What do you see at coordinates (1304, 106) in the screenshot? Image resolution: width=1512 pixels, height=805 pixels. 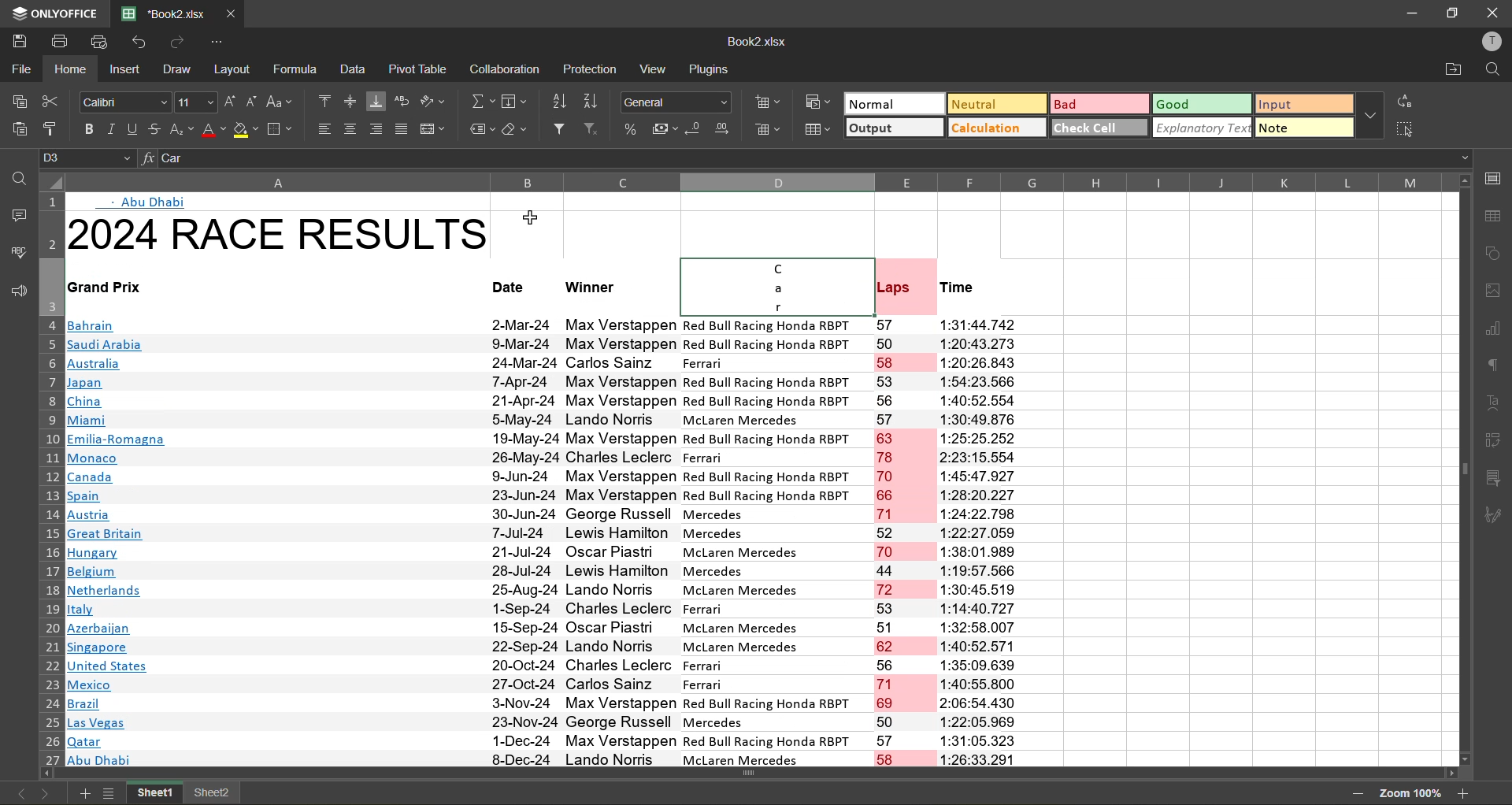 I see `input` at bounding box center [1304, 106].